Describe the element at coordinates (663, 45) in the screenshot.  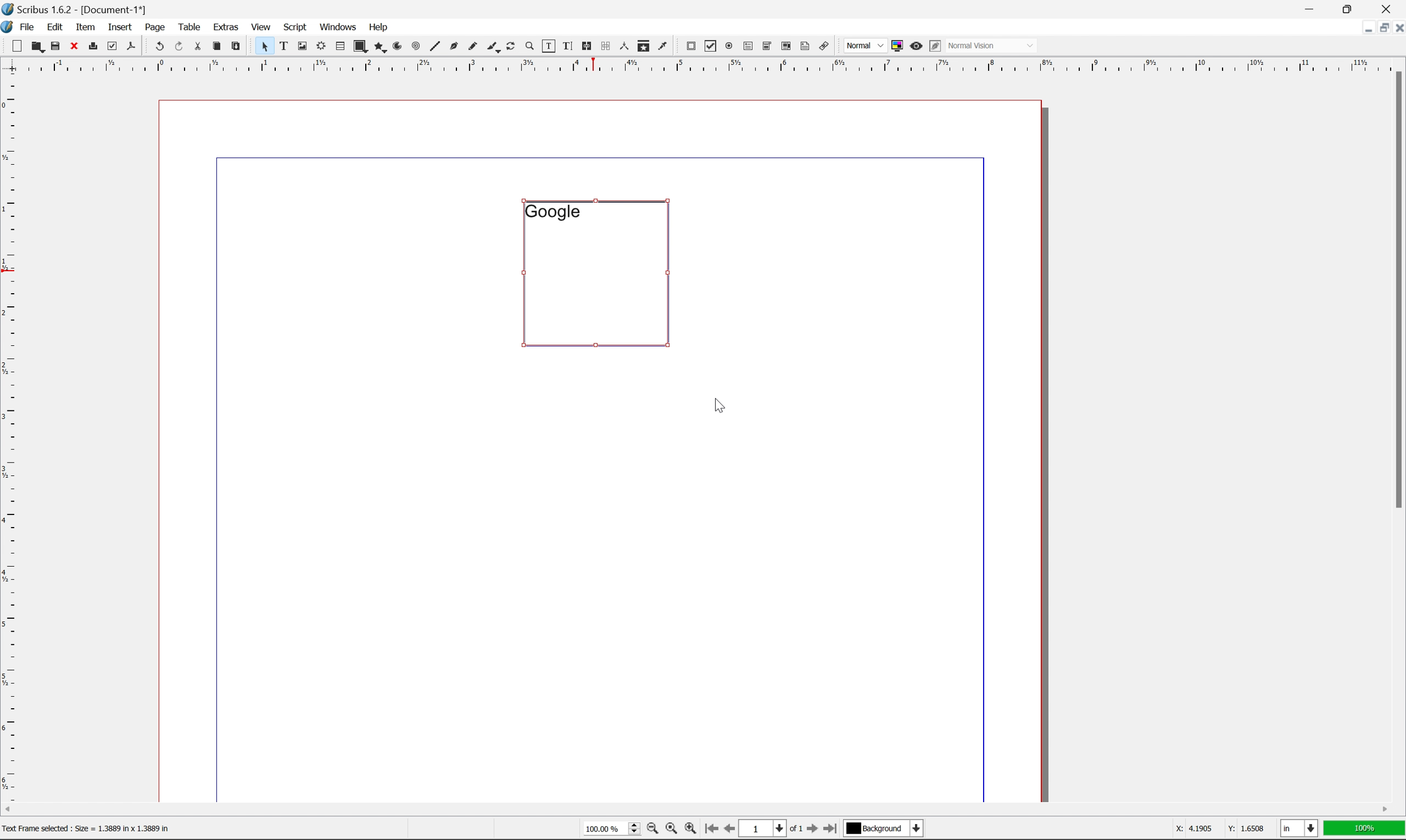
I see `eye dropper` at that location.